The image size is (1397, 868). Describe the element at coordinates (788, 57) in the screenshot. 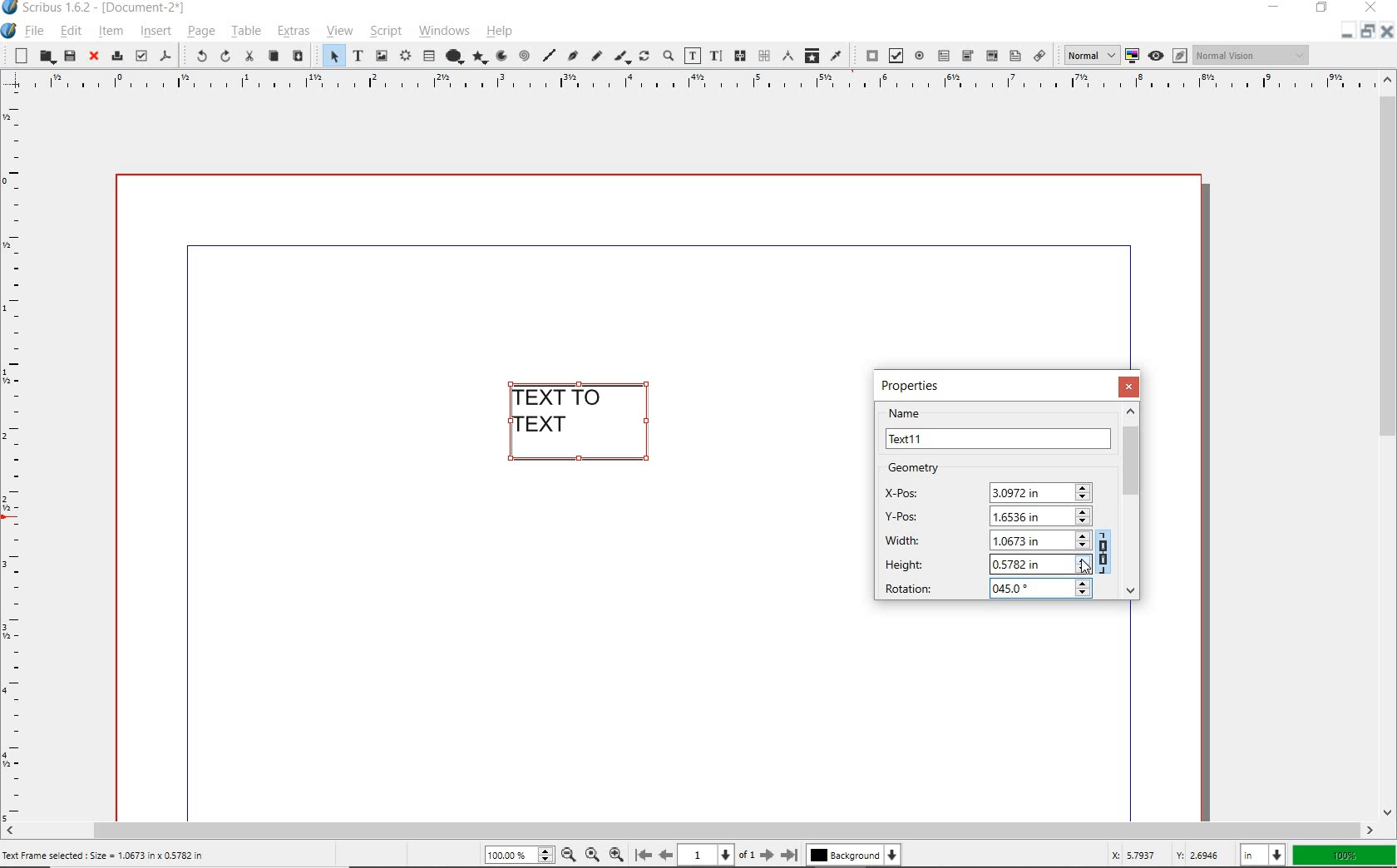

I see `measurements` at that location.